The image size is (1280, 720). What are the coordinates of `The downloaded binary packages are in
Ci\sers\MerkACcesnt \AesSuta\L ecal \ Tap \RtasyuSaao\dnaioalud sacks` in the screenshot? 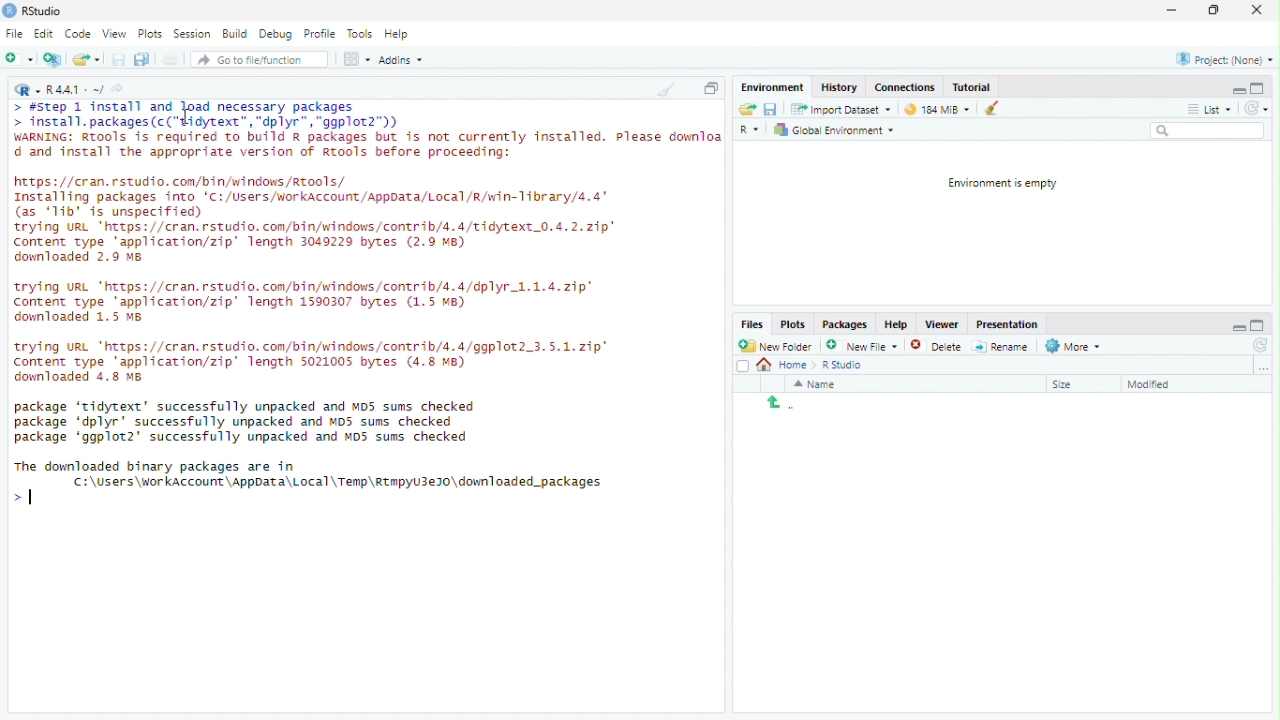 It's located at (311, 474).